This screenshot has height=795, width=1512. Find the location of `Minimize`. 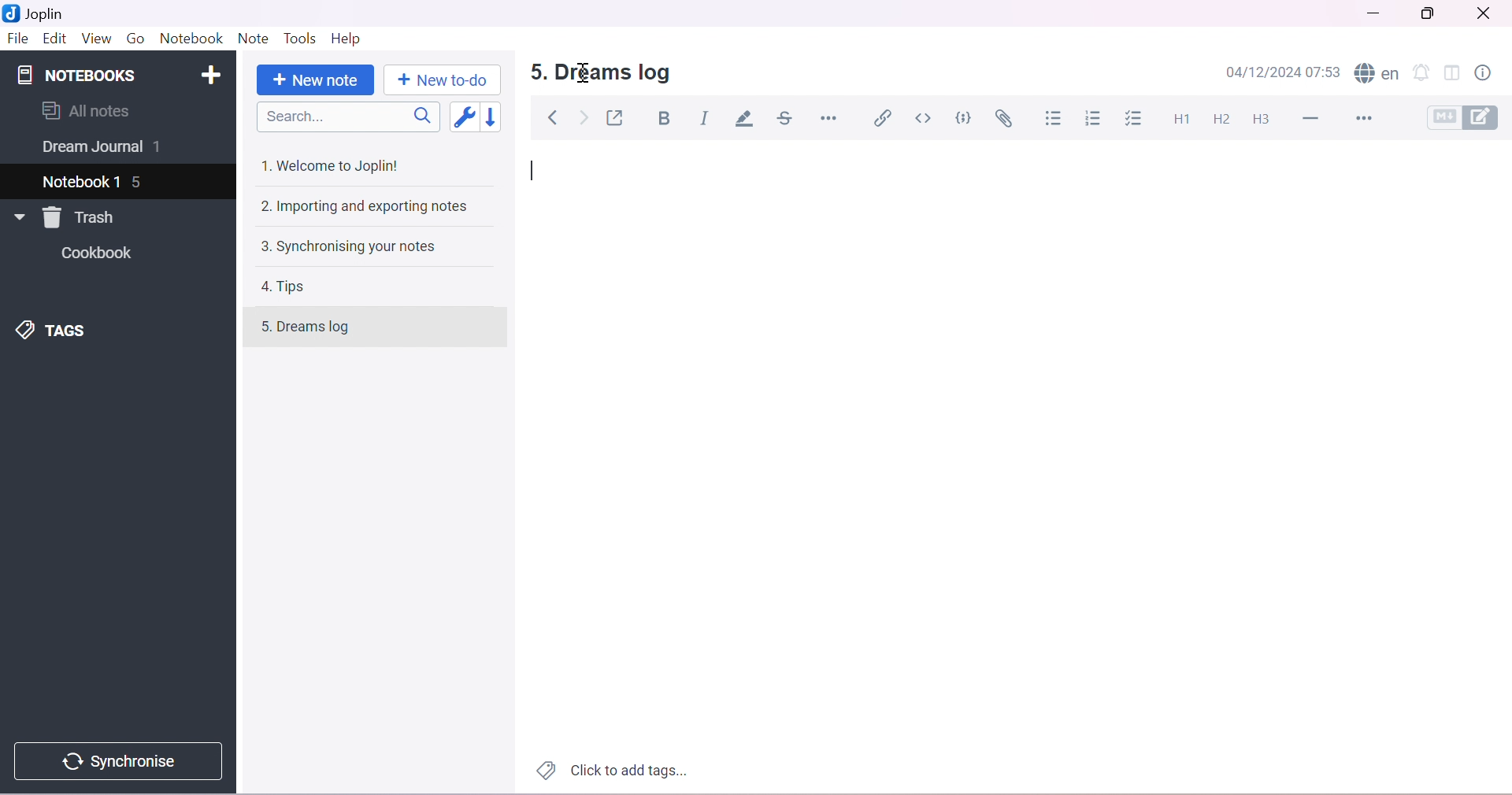

Minimize is located at coordinates (1371, 16).